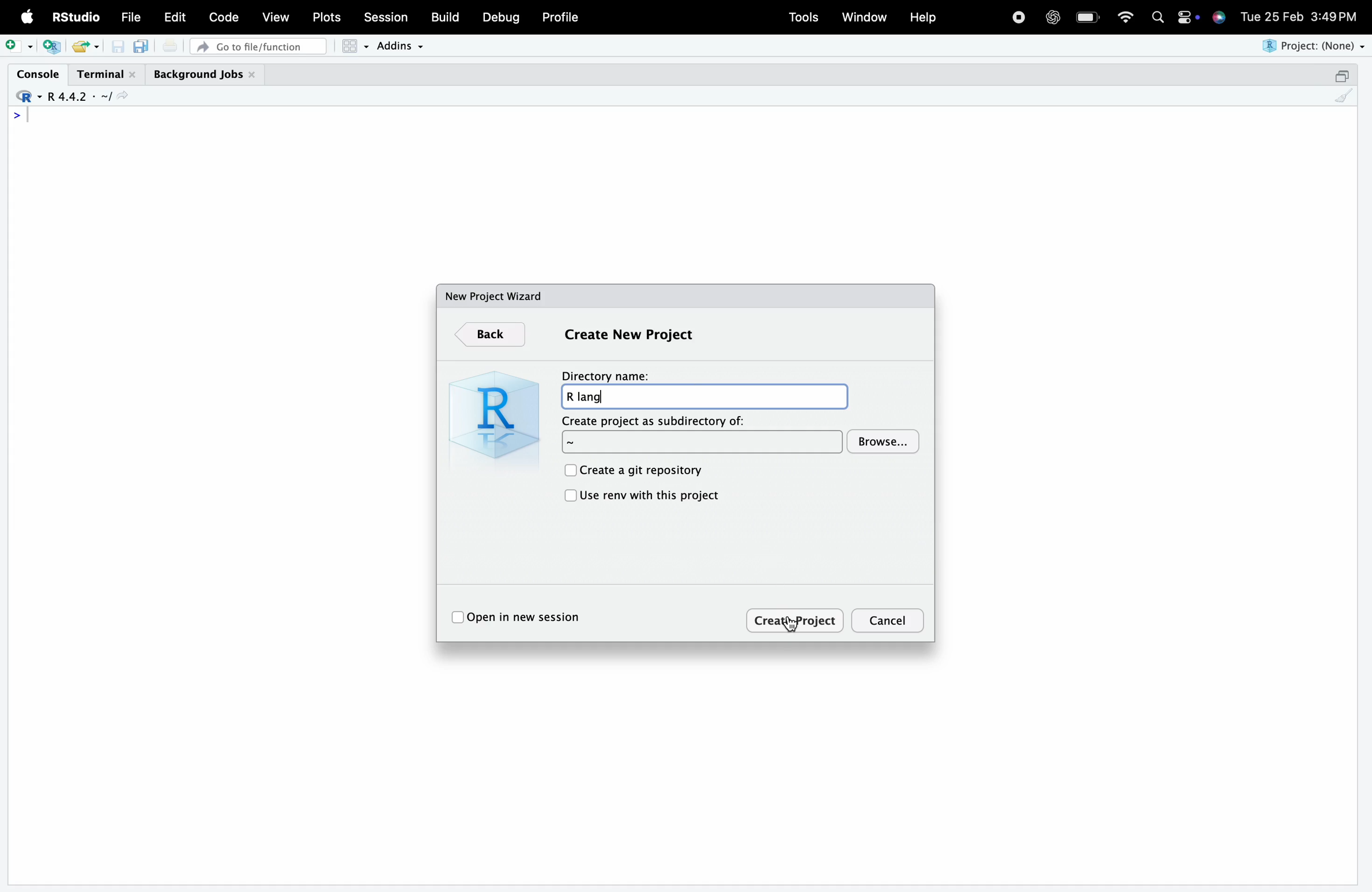  I want to click on >, so click(17, 115).